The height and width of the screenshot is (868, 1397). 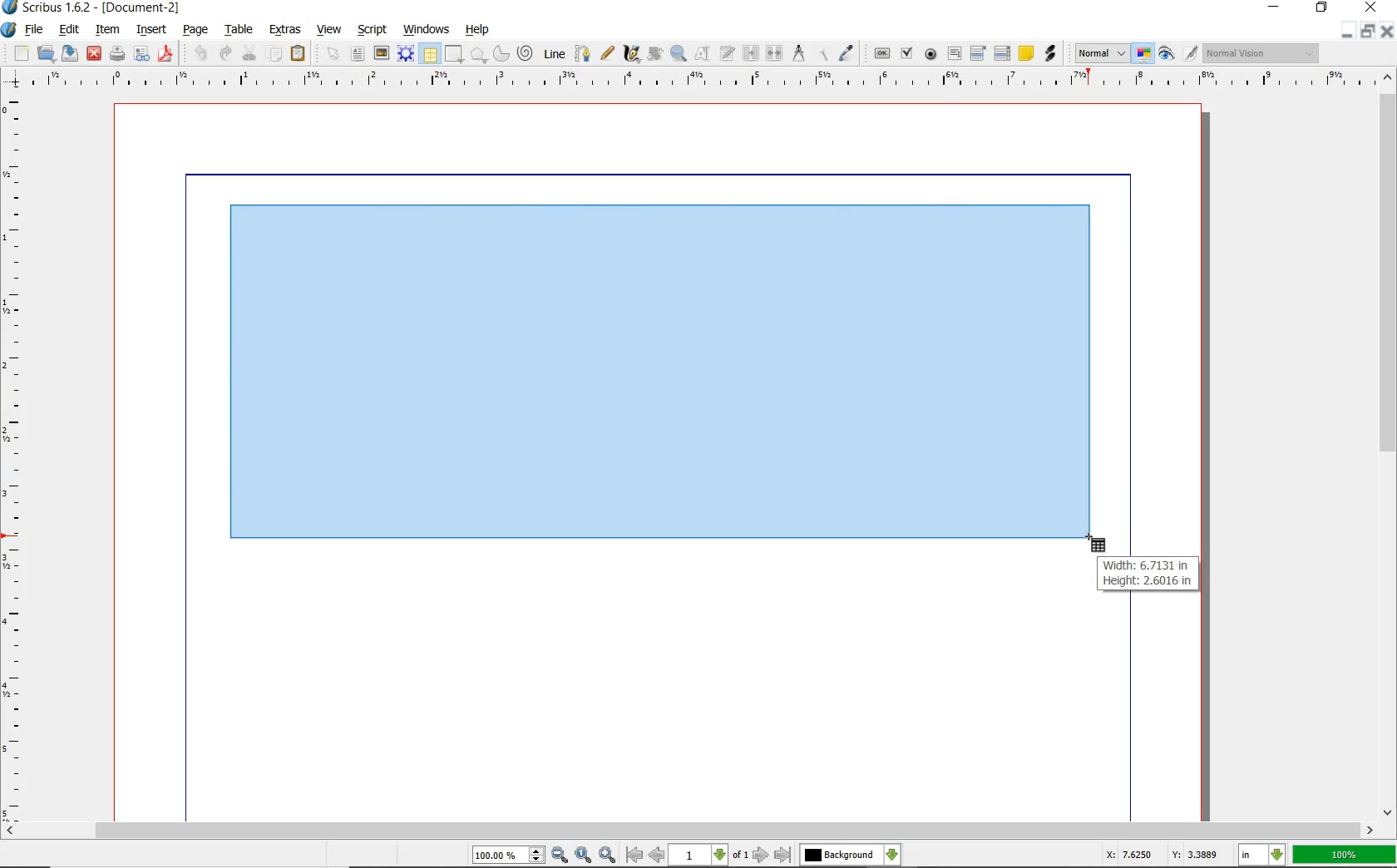 I want to click on cut, so click(x=249, y=52).